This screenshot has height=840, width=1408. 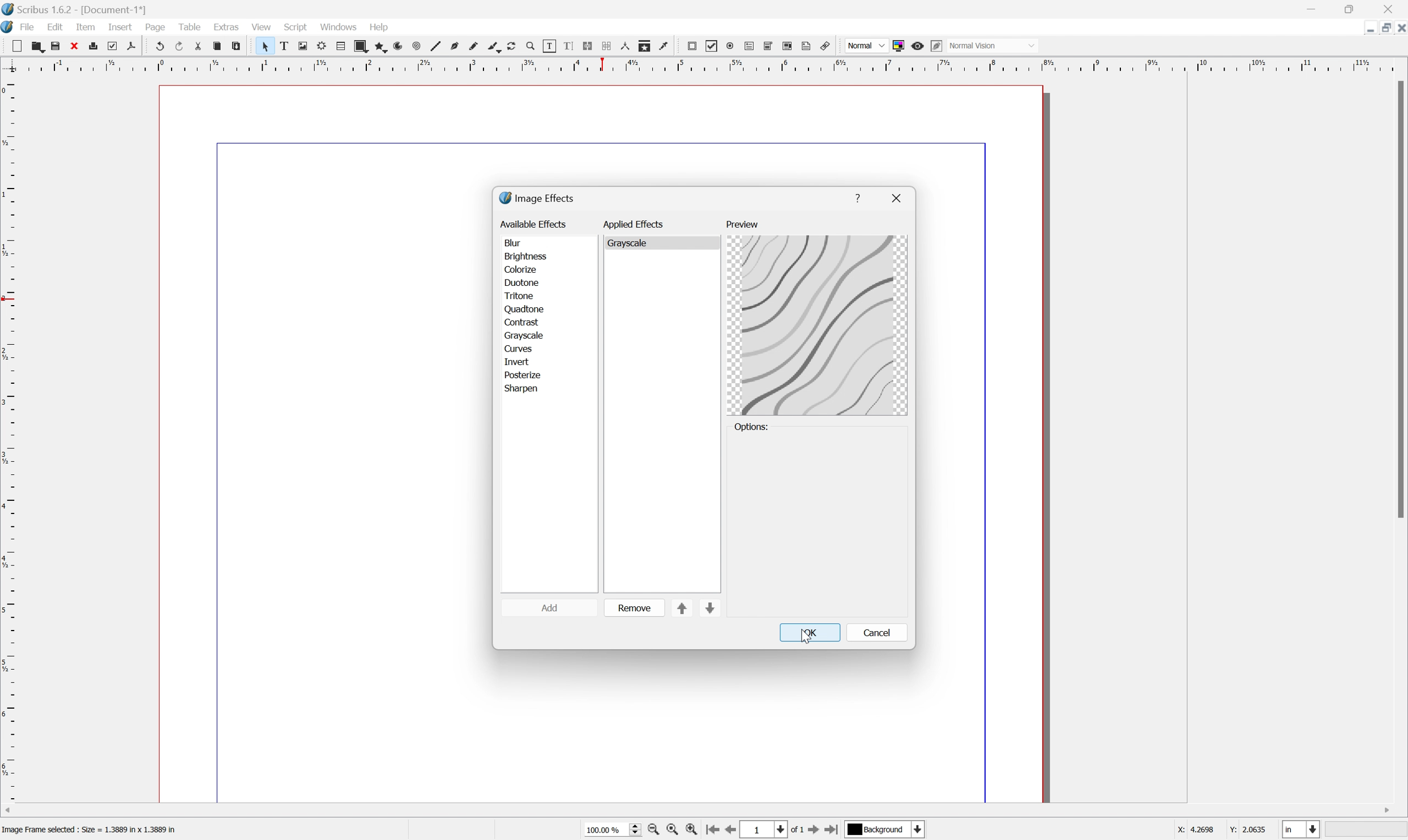 I want to click on Eye dropper, so click(x=667, y=46).